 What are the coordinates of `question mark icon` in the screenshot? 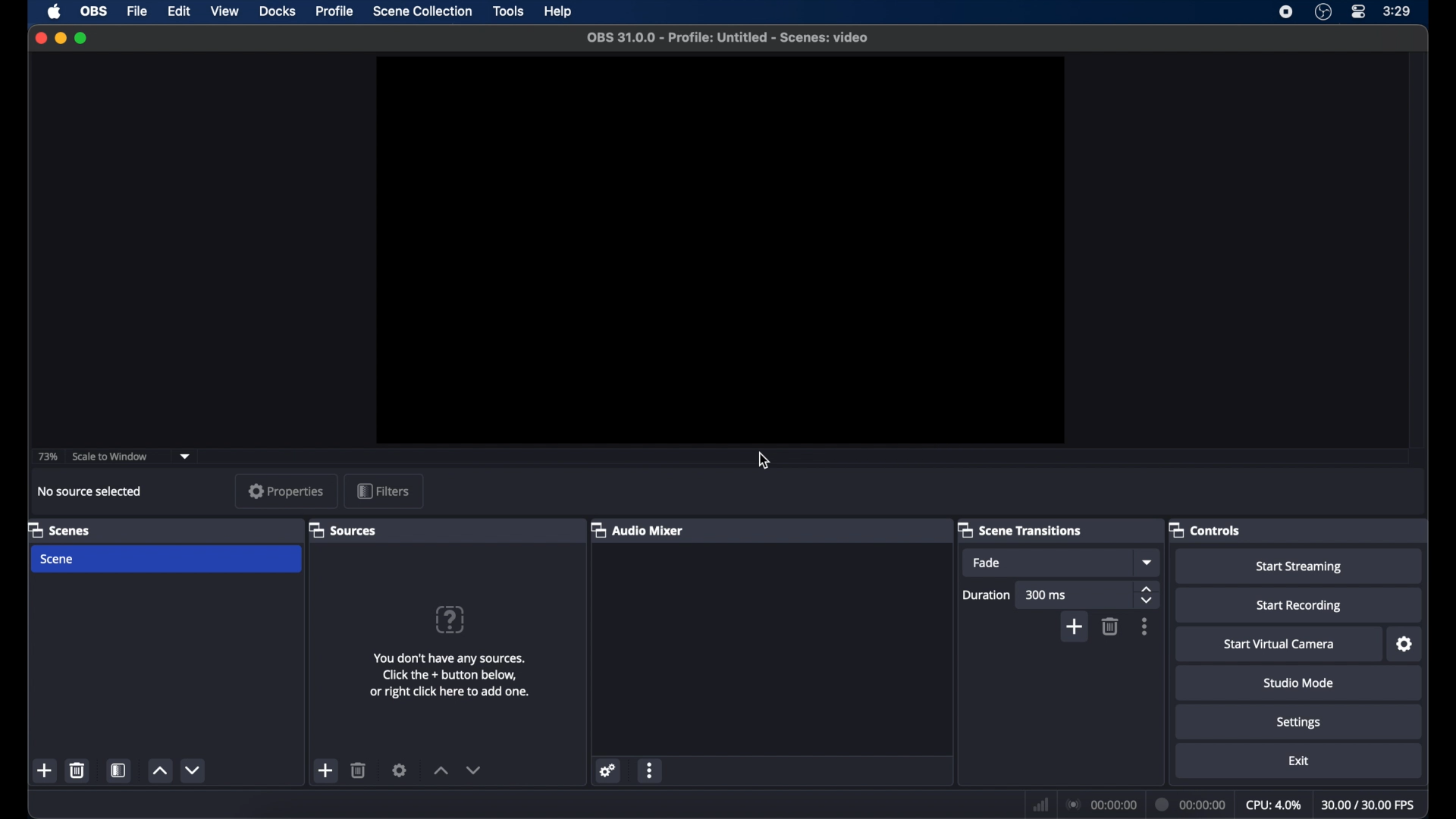 It's located at (451, 620).